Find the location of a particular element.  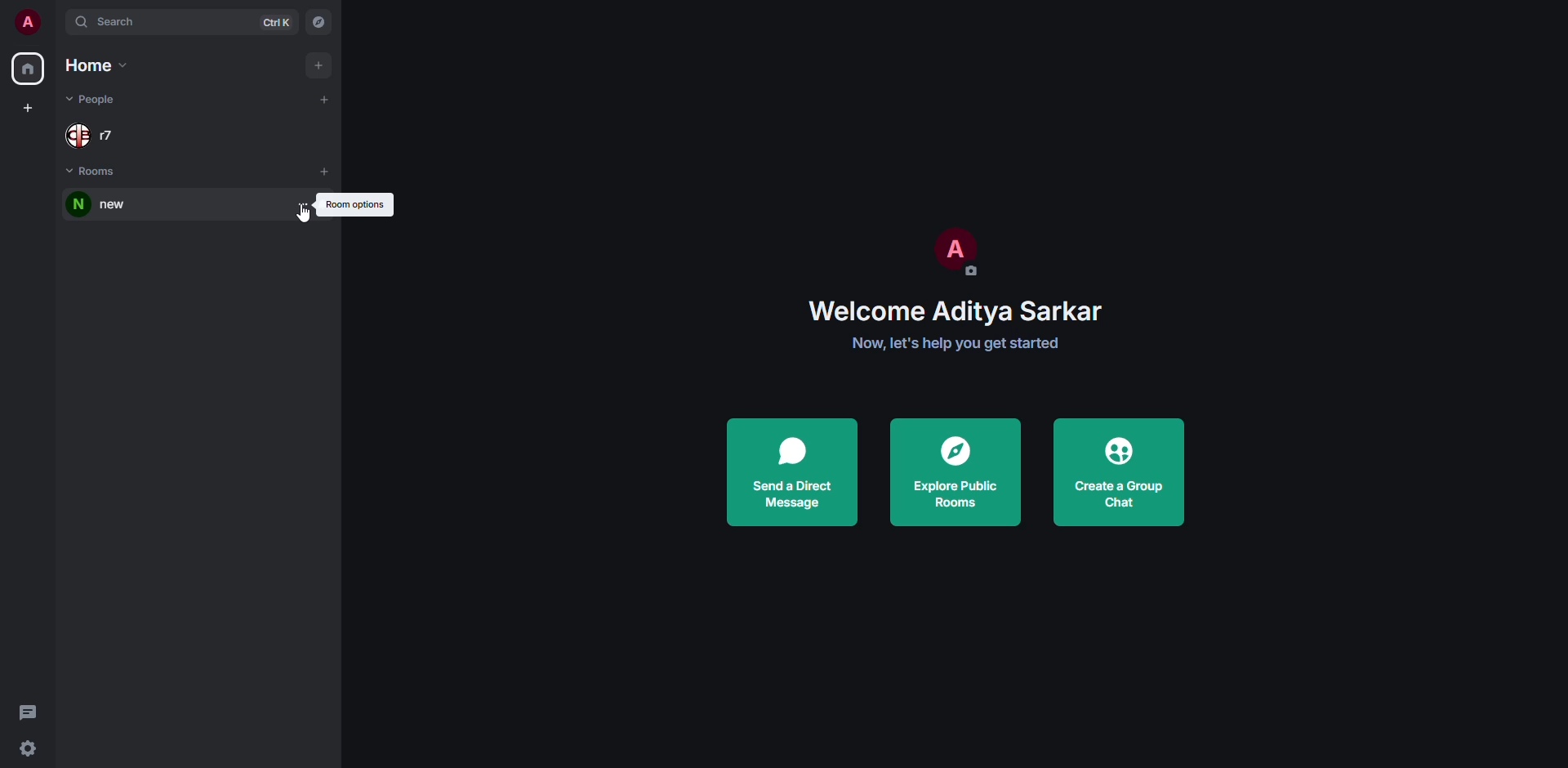

profile is located at coordinates (953, 248).